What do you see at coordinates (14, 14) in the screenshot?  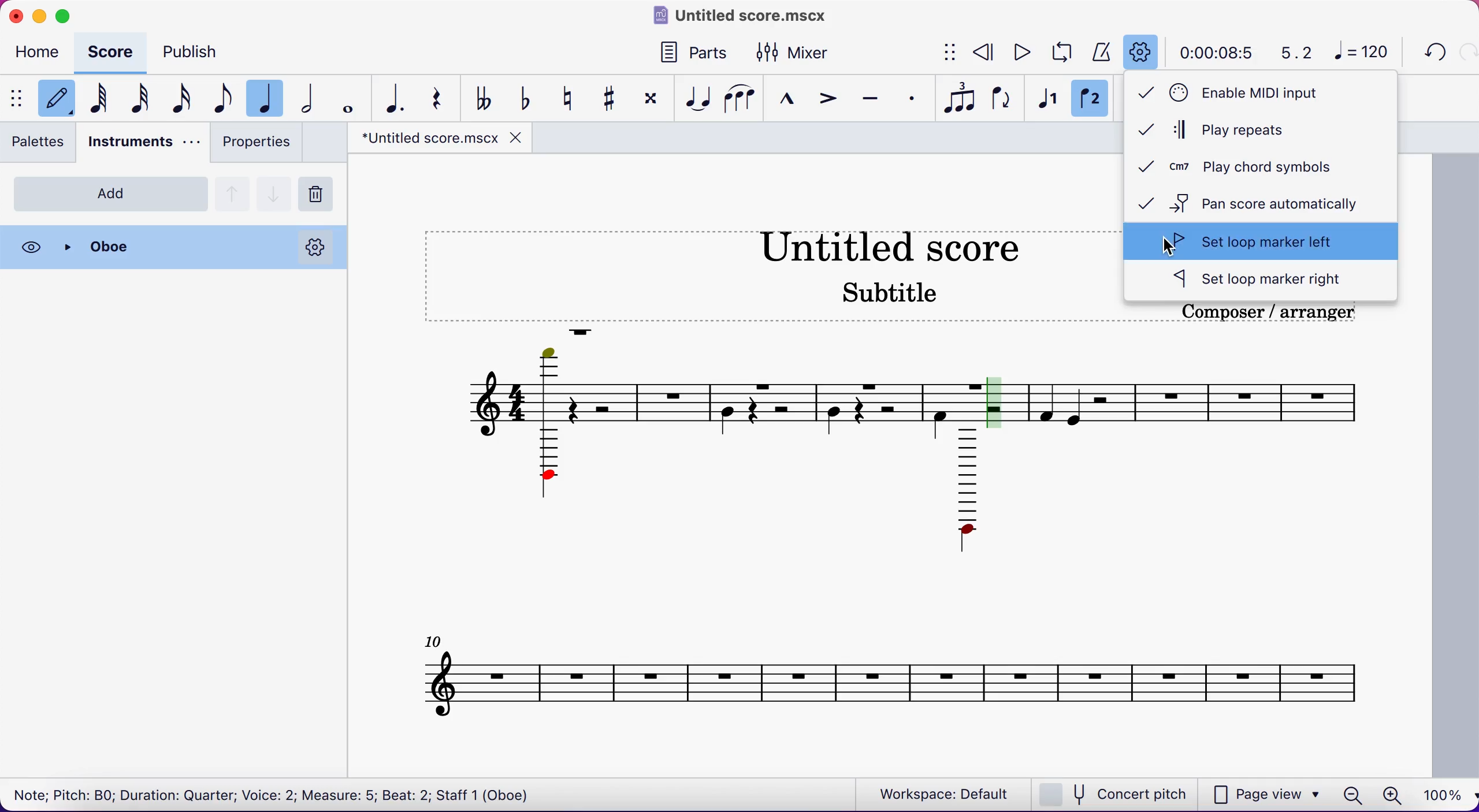 I see `close` at bounding box center [14, 14].